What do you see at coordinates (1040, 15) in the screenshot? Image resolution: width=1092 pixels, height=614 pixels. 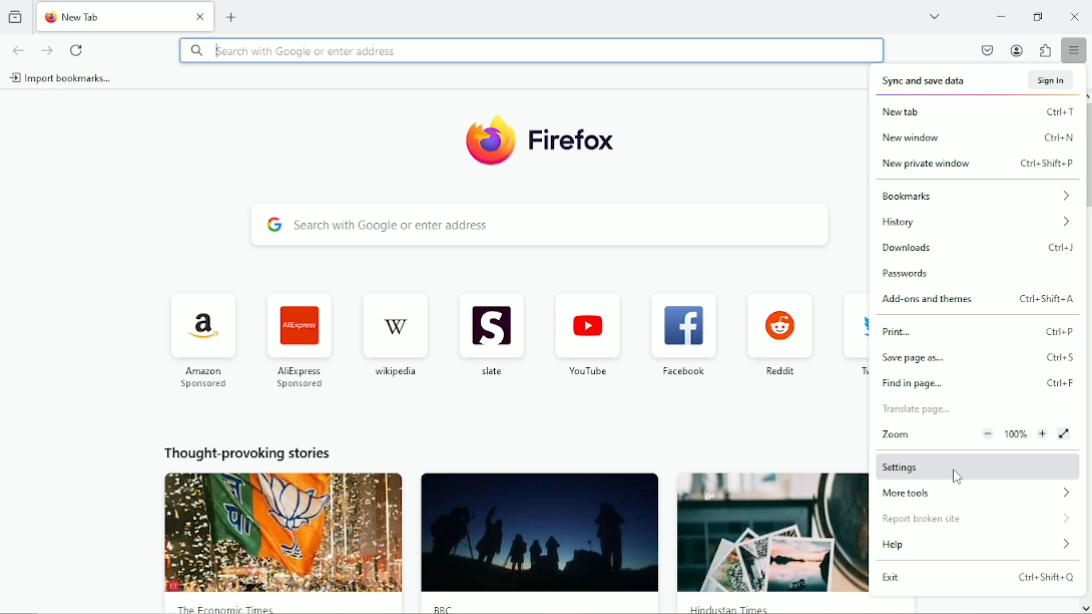 I see `restore down` at bounding box center [1040, 15].